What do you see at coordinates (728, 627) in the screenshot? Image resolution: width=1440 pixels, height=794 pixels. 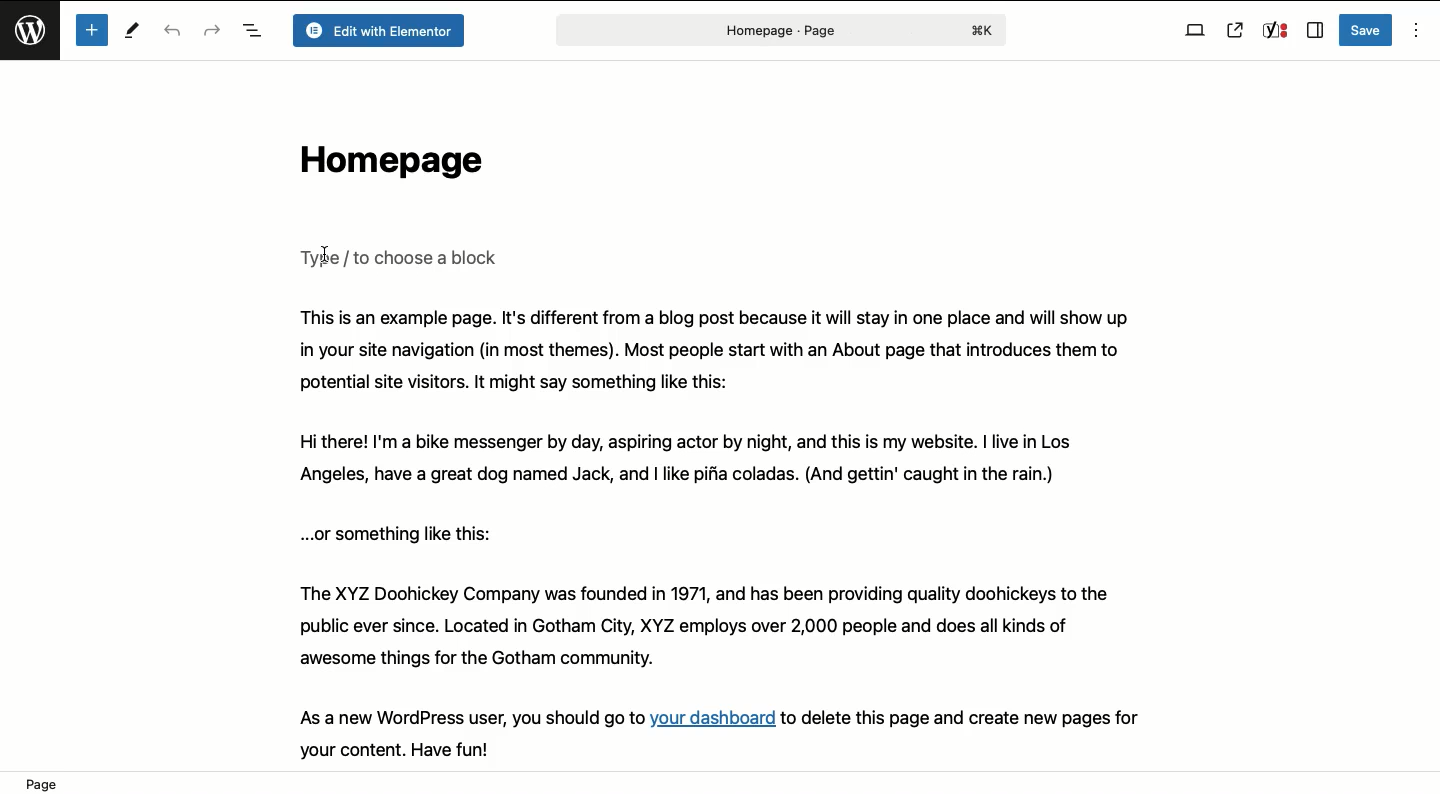 I see `The XYZ Doohickey Company was founded in 1971, and has been providing quality doohickeys to the
public ever since. Located in Gotham City, XYZ employs over 2,000 people and does all kinds of
awesome things for the Gotham community.` at bounding box center [728, 627].